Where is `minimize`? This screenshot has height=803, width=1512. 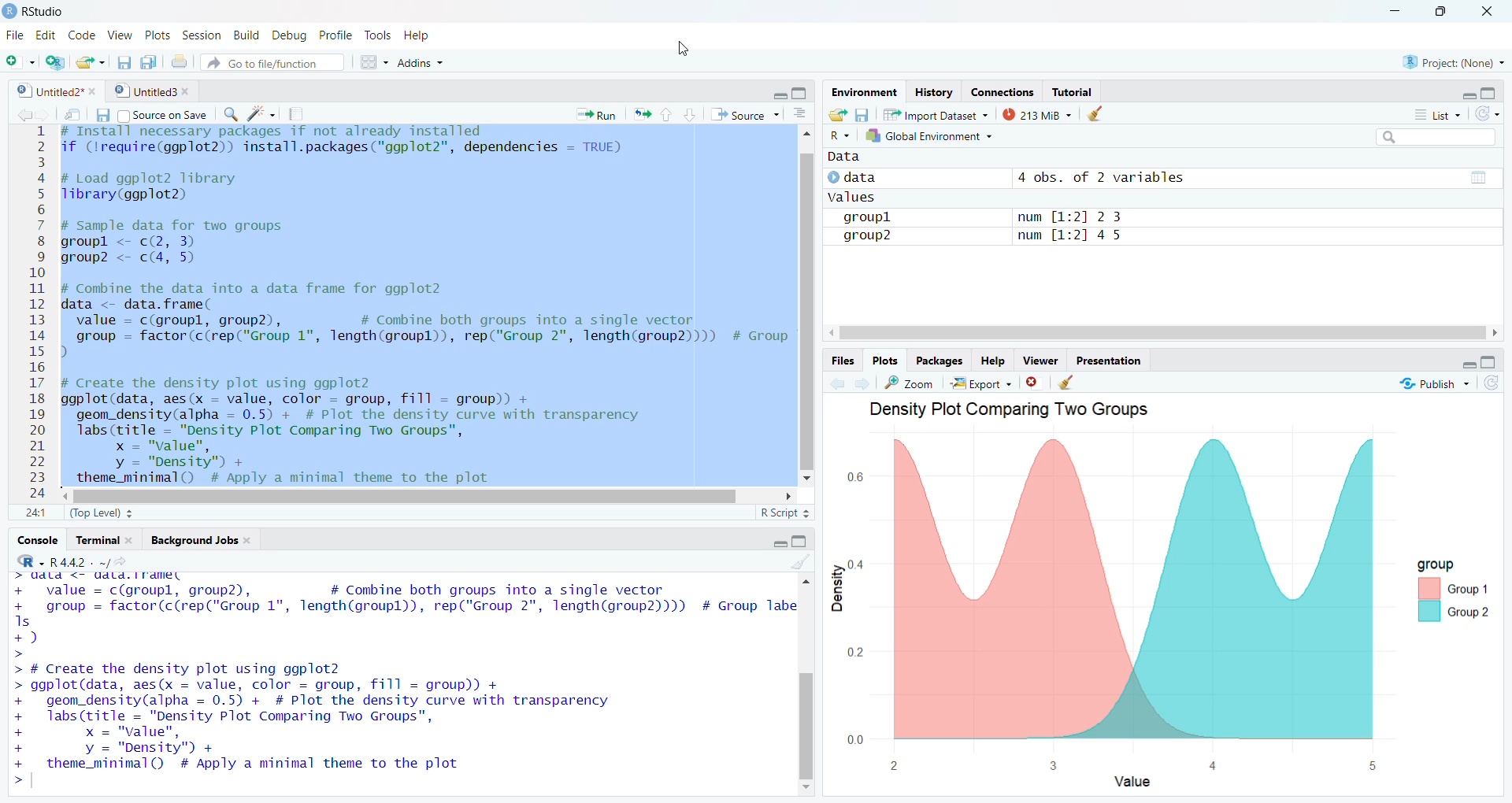 minimize is located at coordinates (1396, 11).